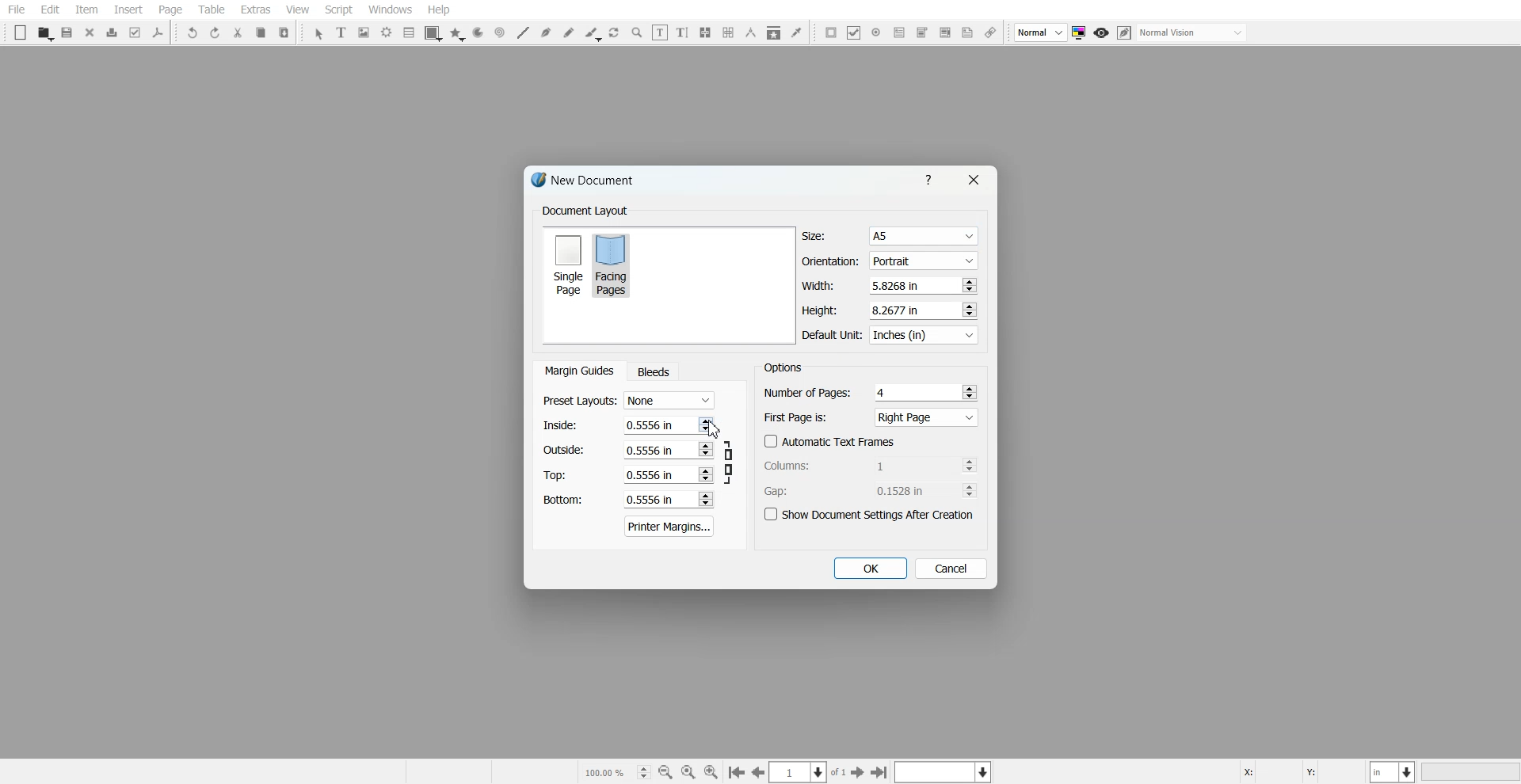 This screenshot has height=784, width=1521. I want to click on Bleeds, so click(653, 371).